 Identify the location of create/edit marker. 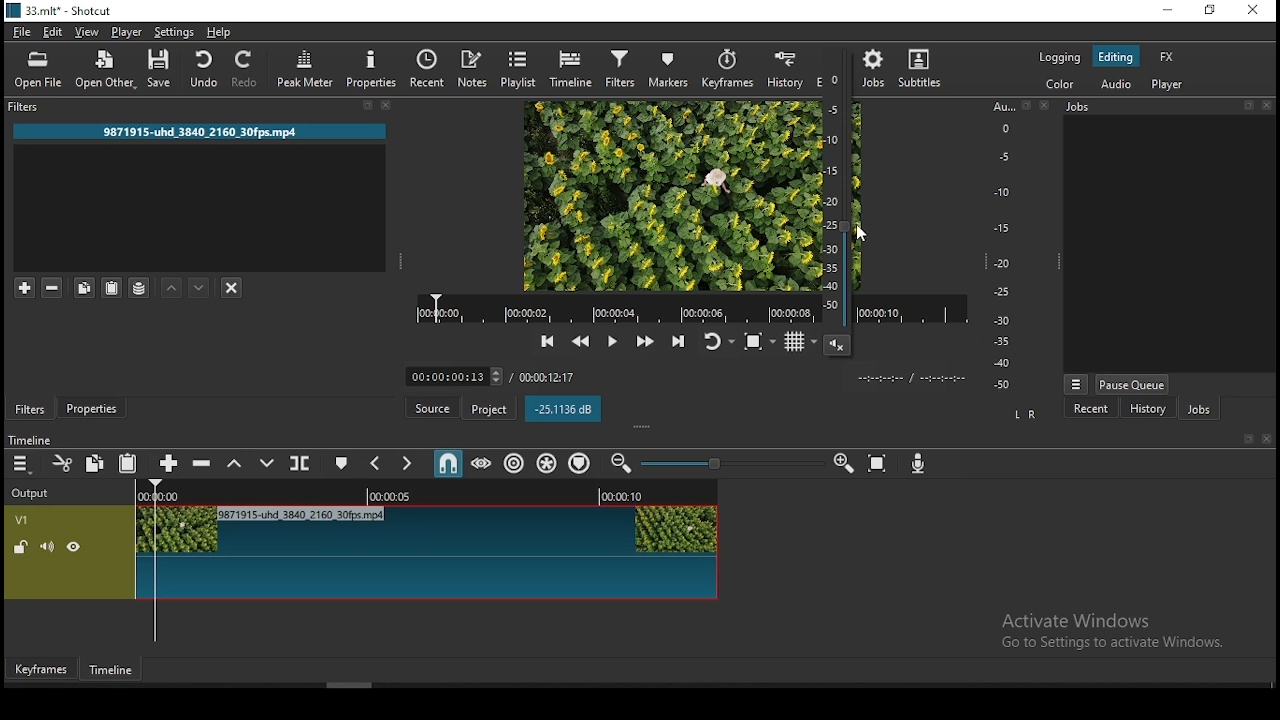
(342, 464).